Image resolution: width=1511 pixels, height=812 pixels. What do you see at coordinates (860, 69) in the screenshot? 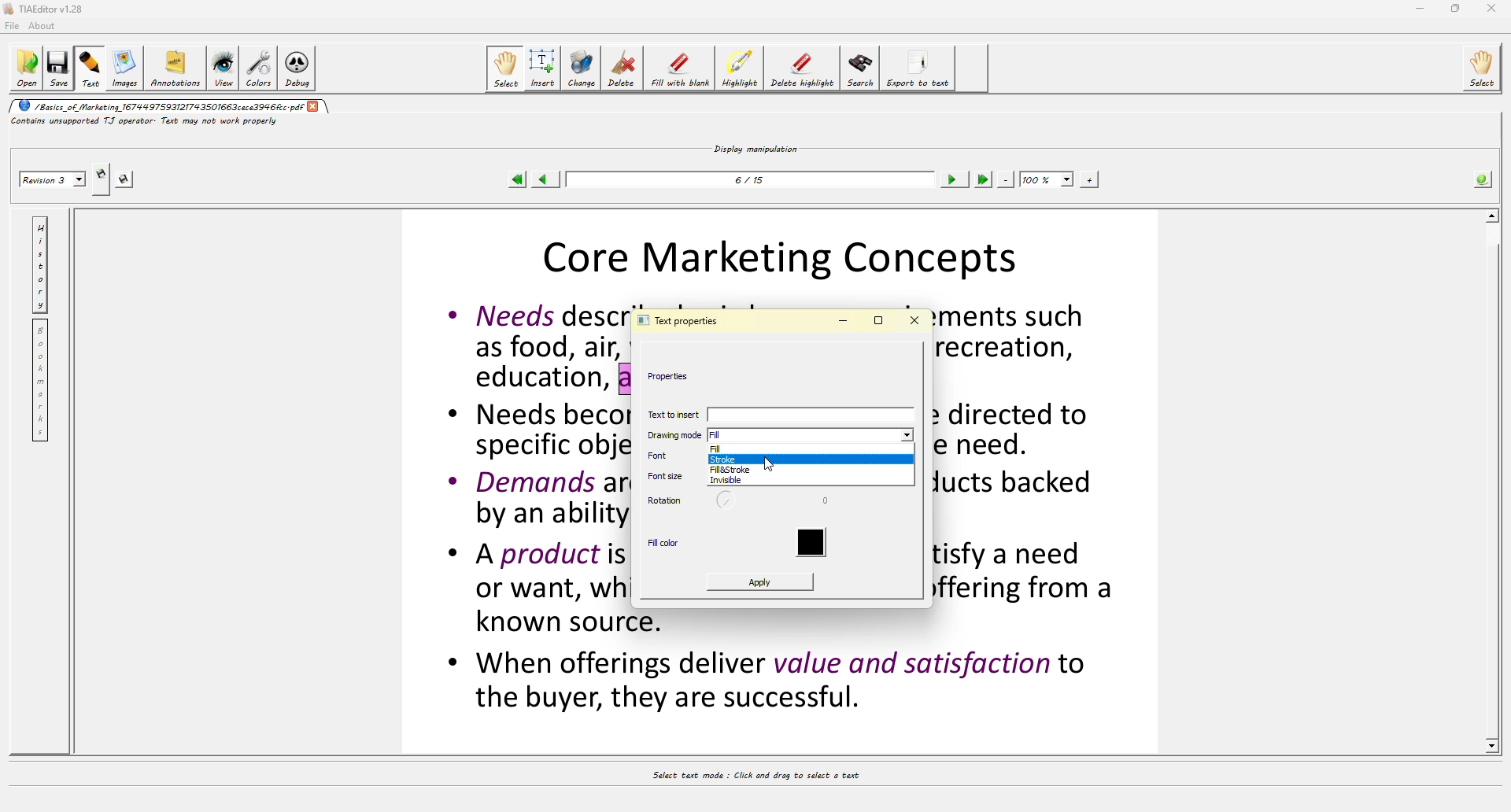
I see `search` at bounding box center [860, 69].